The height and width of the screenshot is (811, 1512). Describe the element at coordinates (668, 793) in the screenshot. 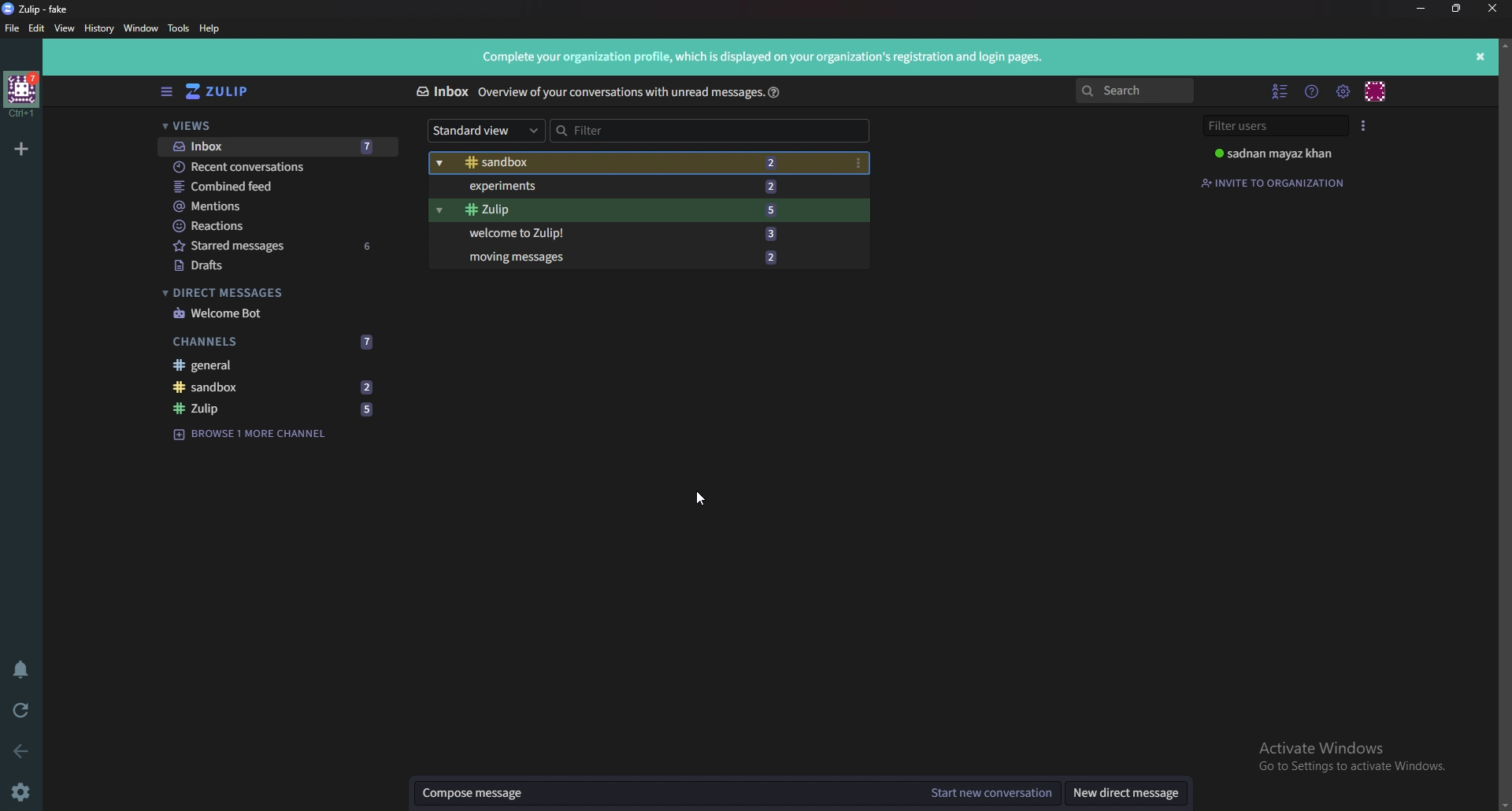

I see `Compose message` at that location.